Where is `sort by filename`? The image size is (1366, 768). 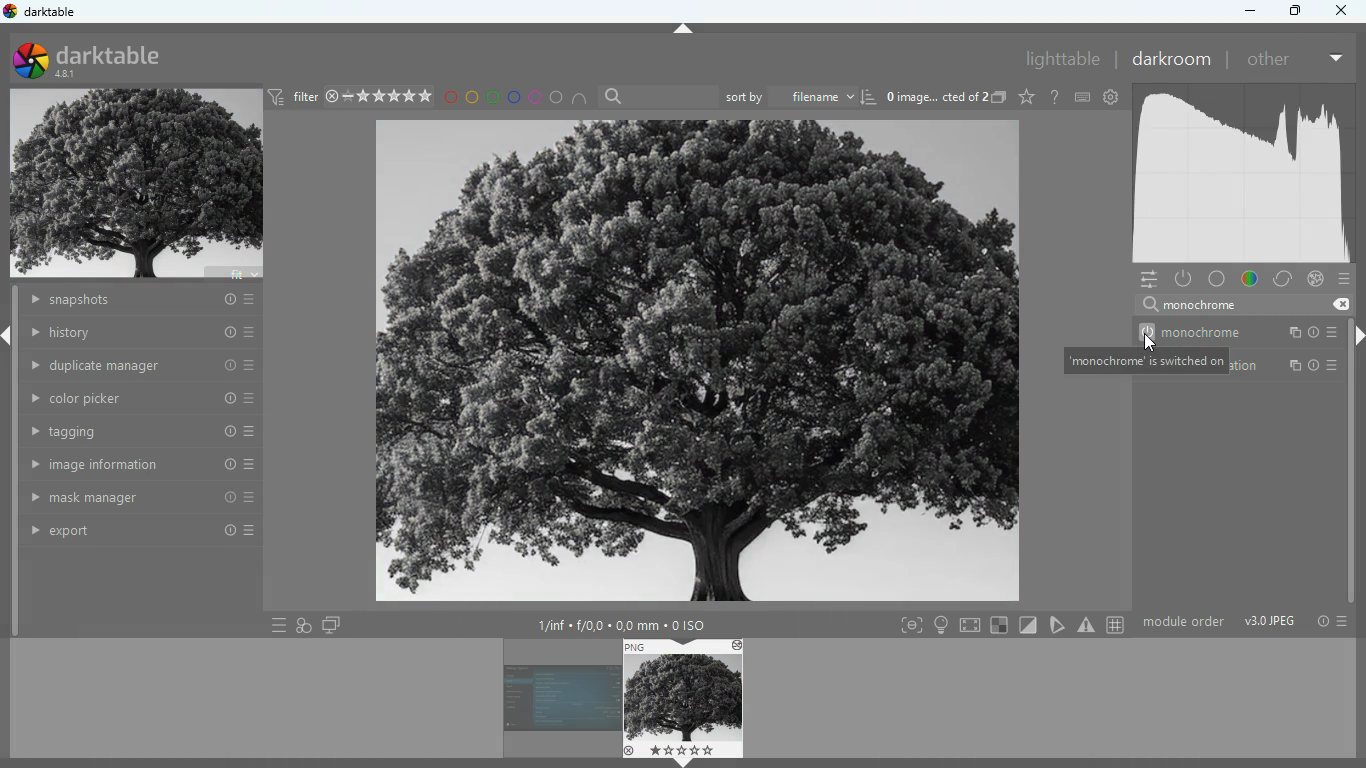 sort by filename is located at coordinates (801, 98).